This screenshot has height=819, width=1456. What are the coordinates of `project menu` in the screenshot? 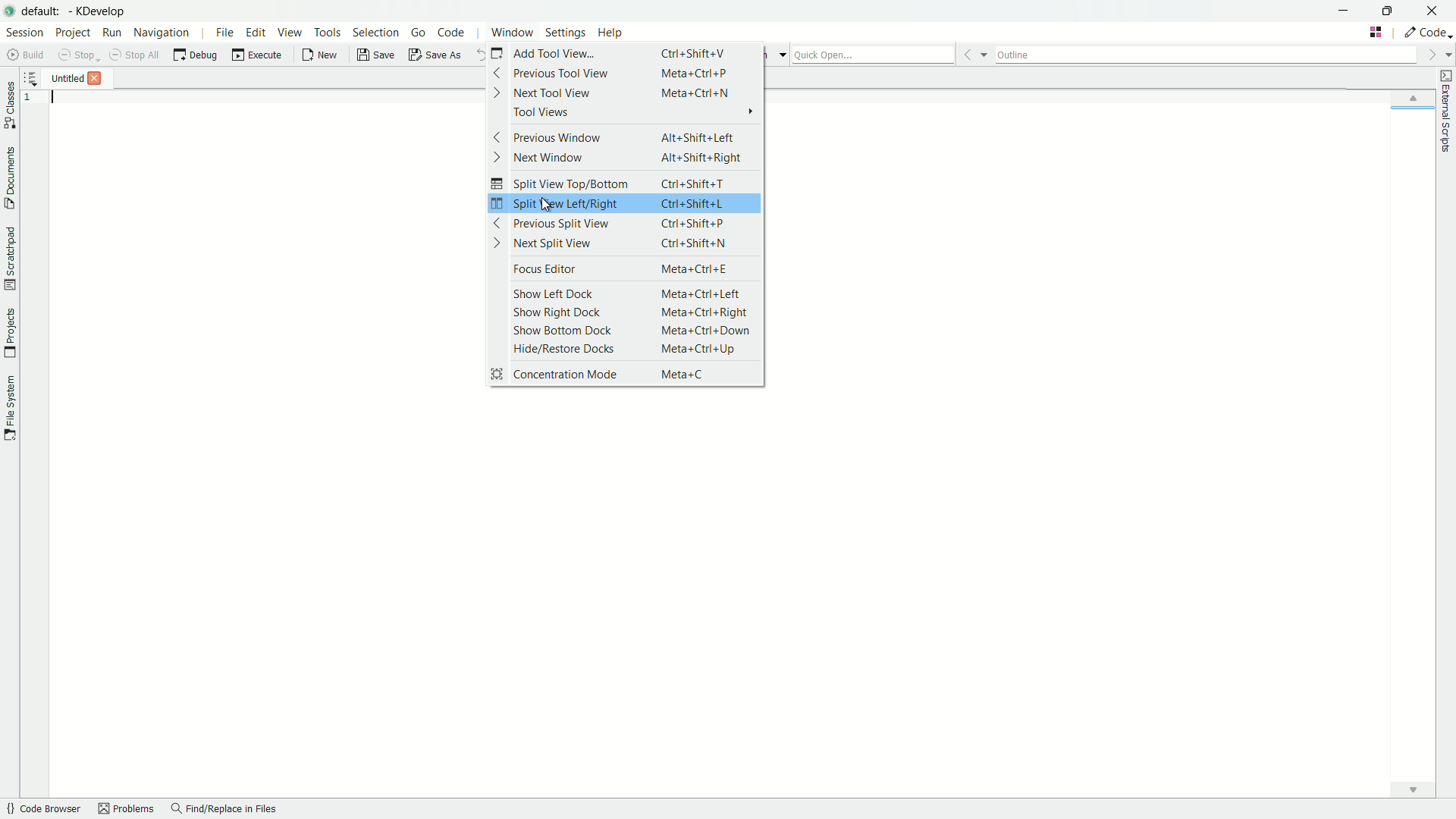 It's located at (74, 33).